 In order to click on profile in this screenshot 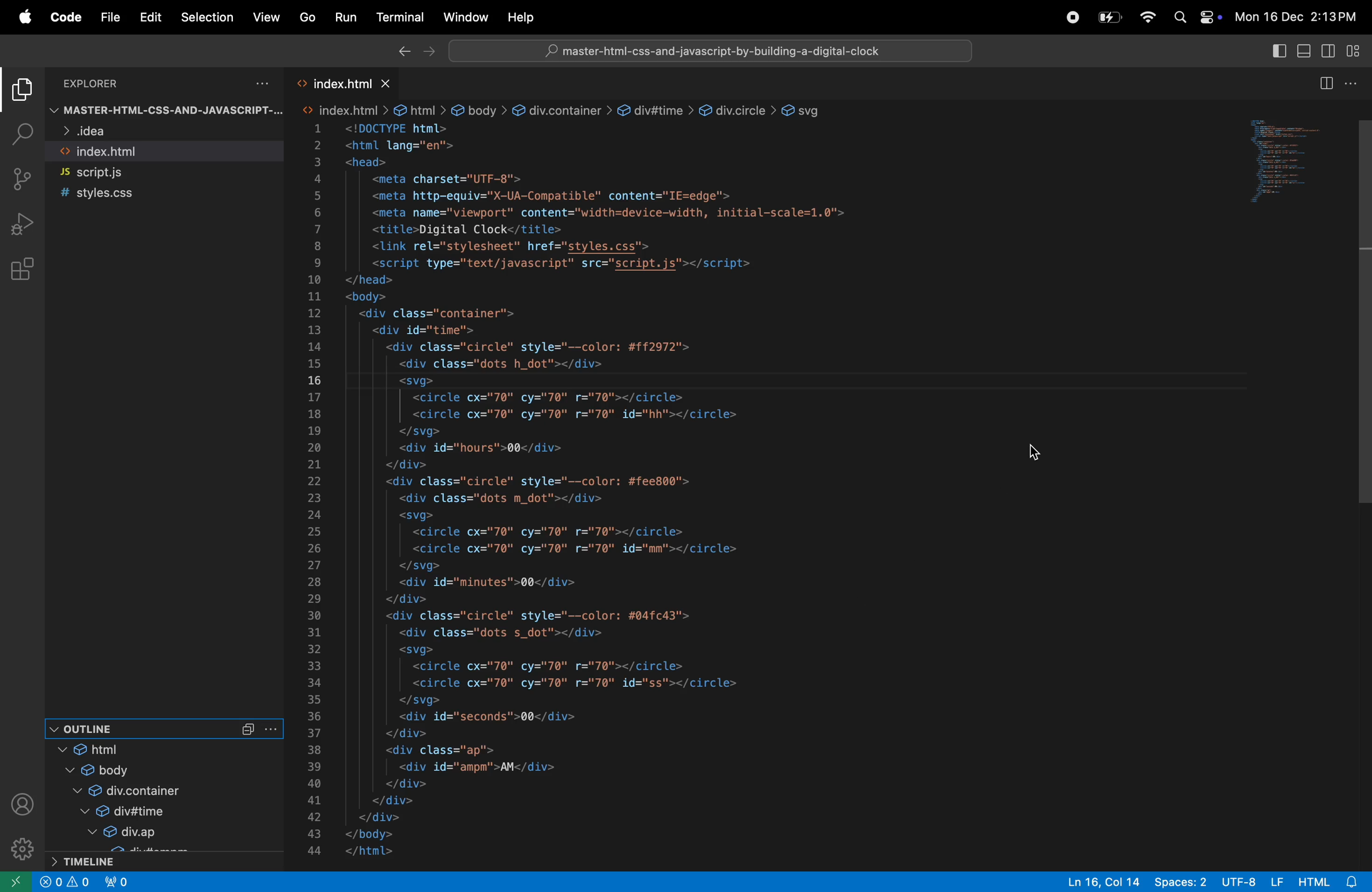, I will do `click(24, 805)`.